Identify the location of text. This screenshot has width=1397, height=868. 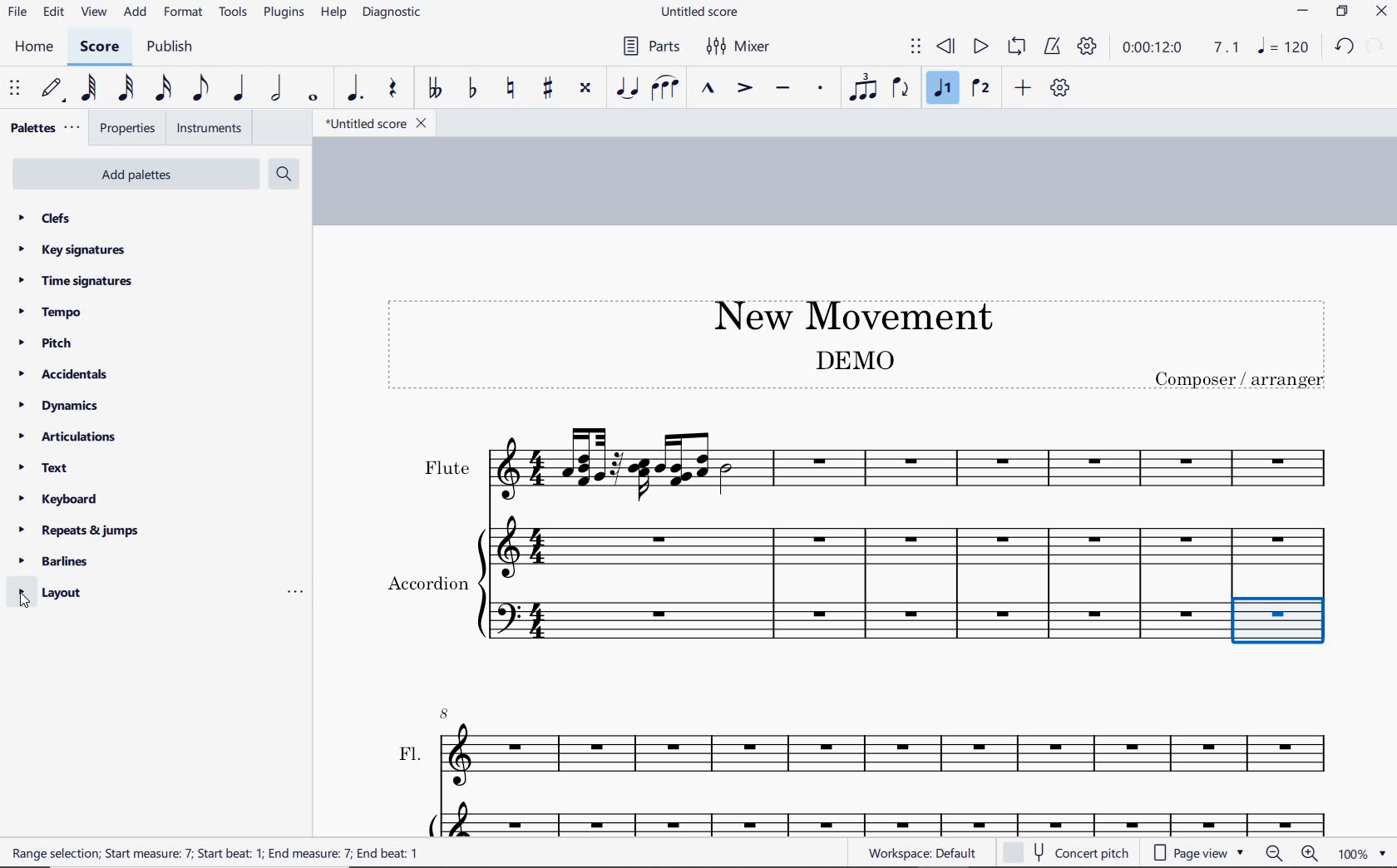
(446, 468).